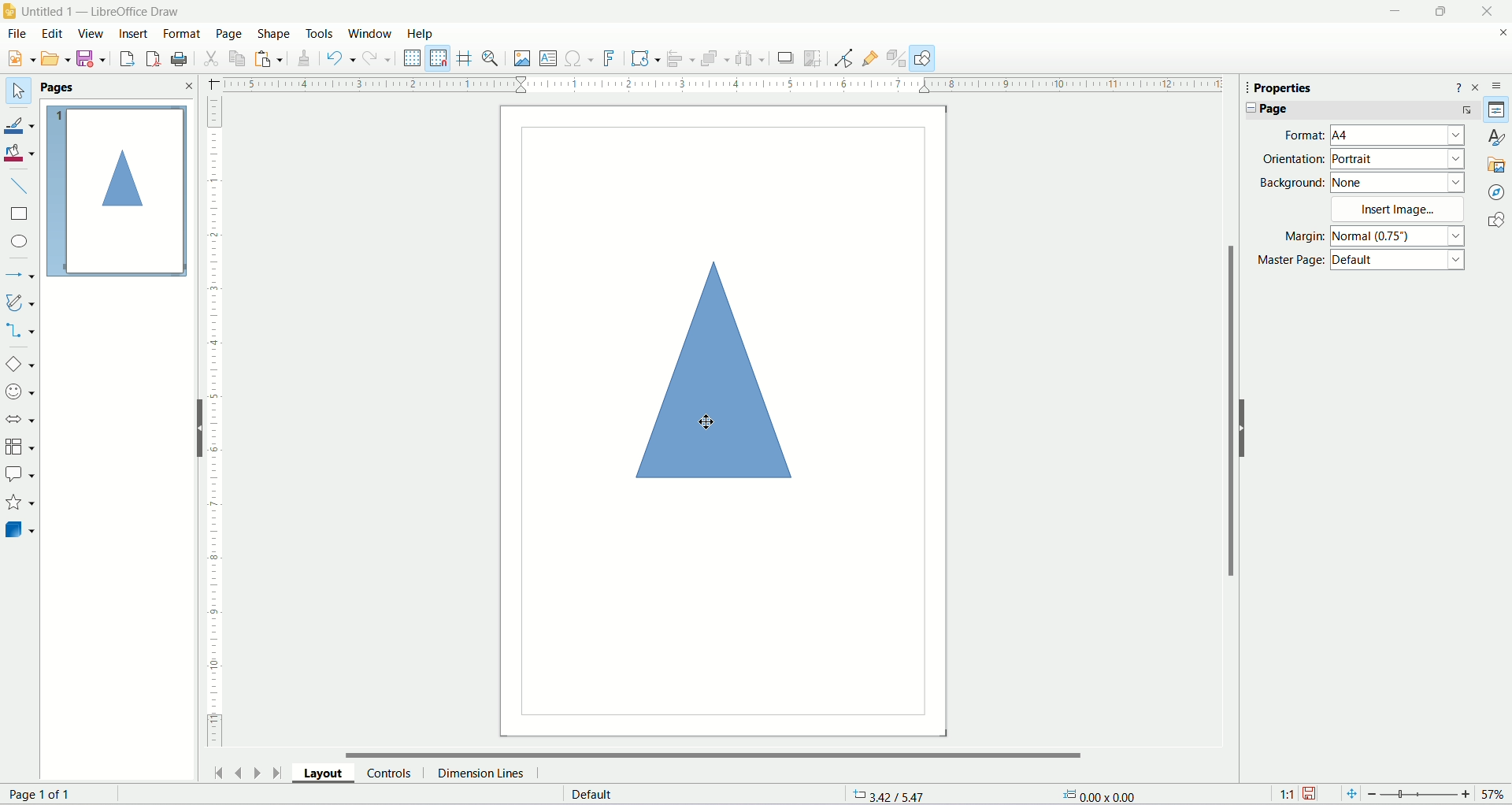 The image size is (1512, 805). Describe the element at coordinates (20, 154) in the screenshot. I see `Fill Color` at that location.